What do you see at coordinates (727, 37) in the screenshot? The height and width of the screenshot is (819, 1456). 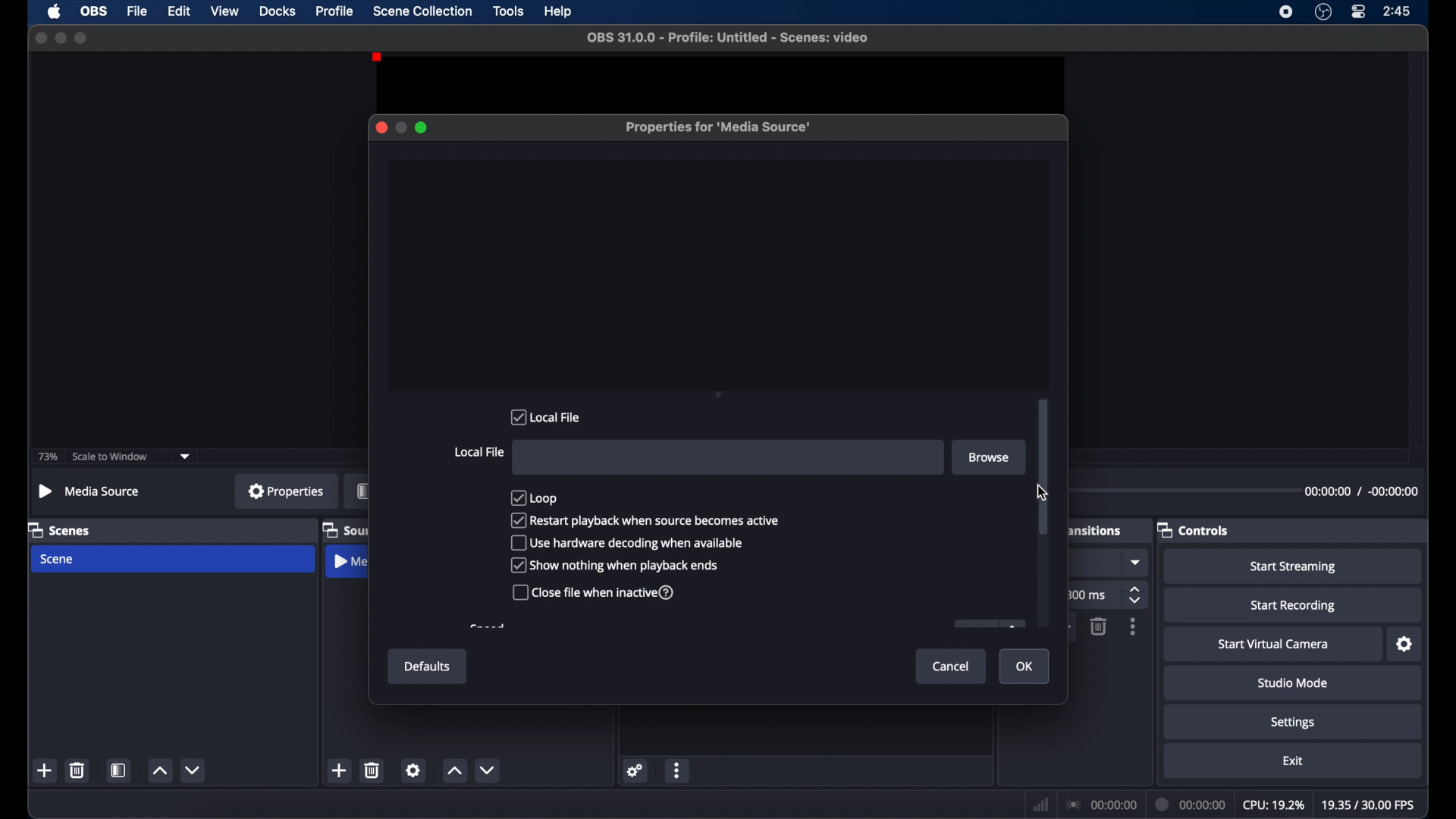 I see `file name` at bounding box center [727, 37].